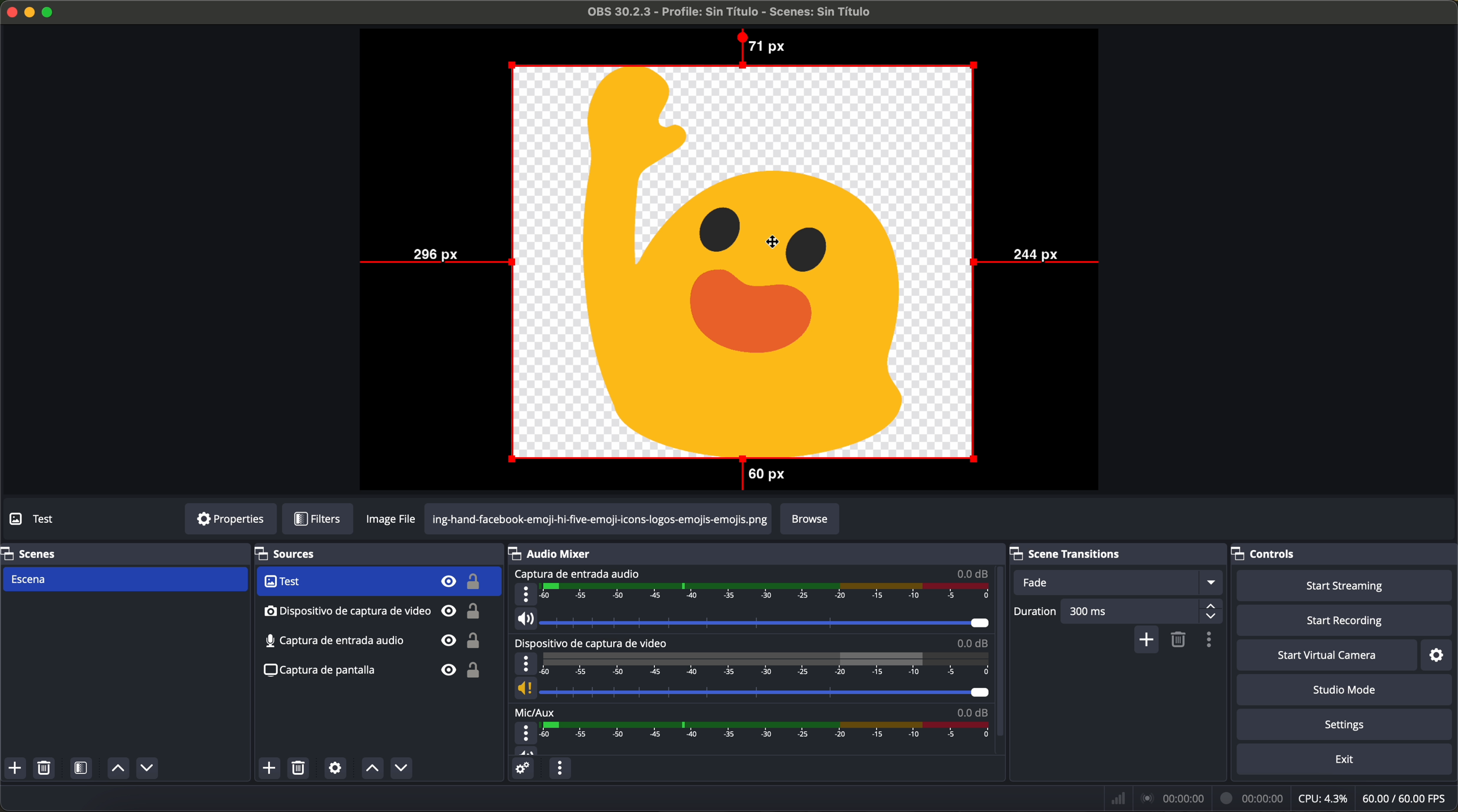  Describe the element at coordinates (526, 664) in the screenshot. I see `more options` at that location.